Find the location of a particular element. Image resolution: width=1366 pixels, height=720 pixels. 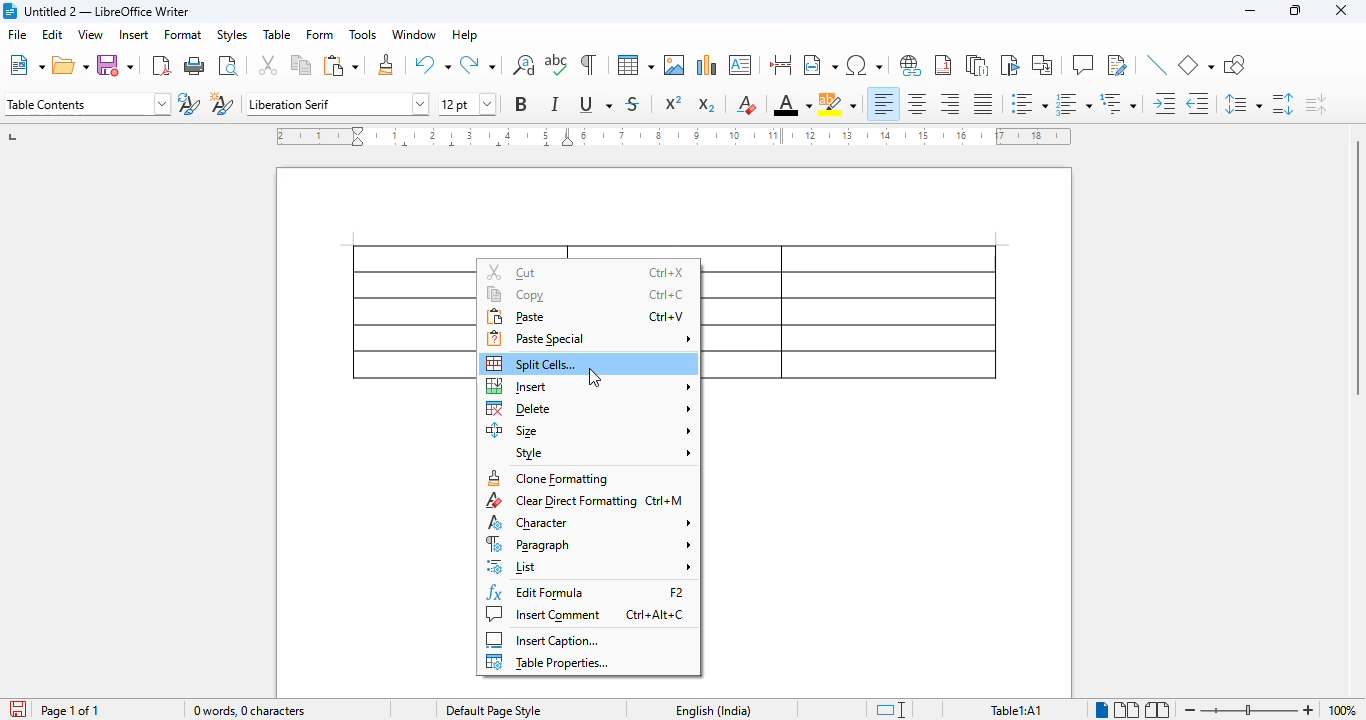

style is located at coordinates (602, 453).